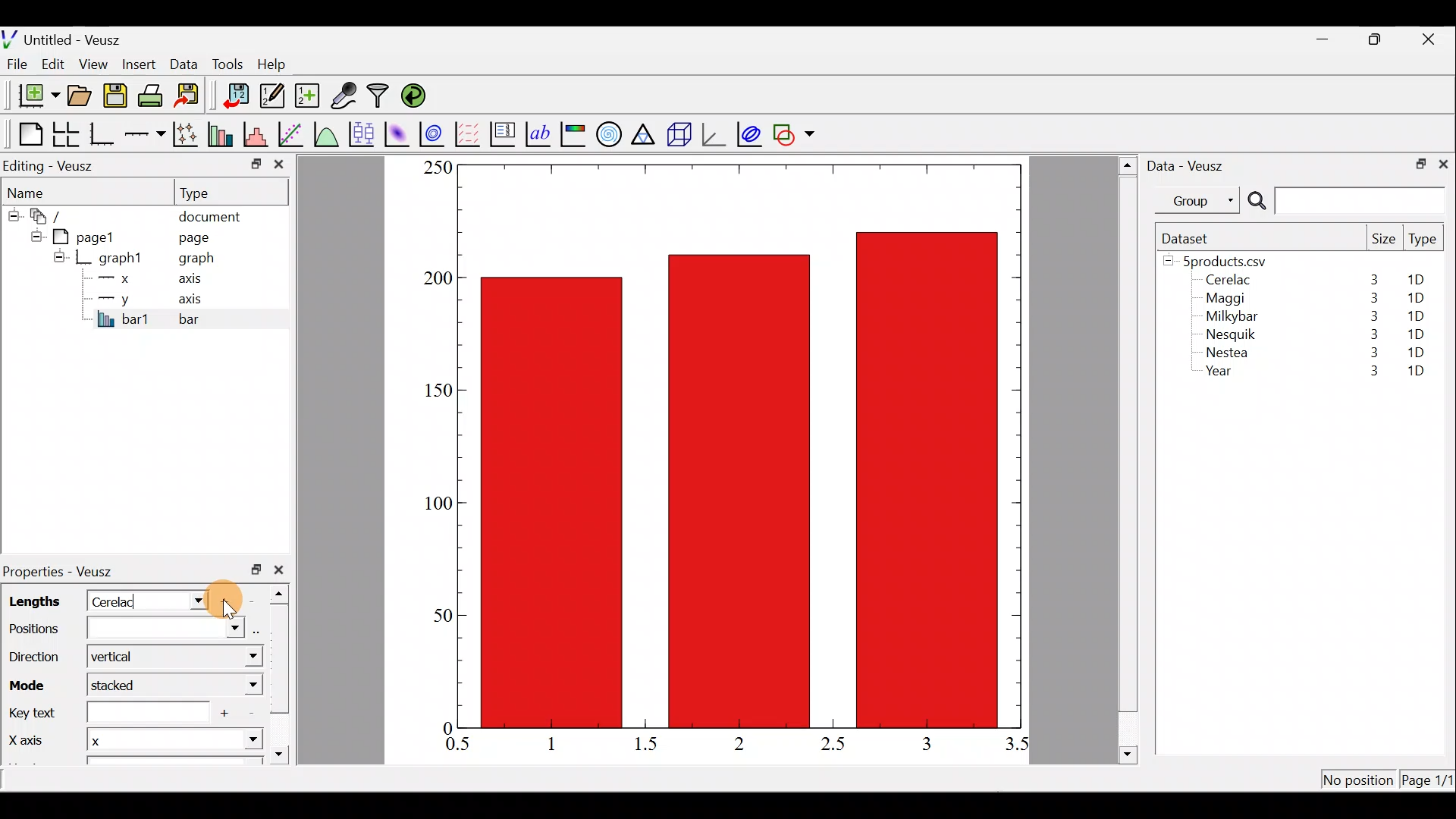  I want to click on Milkybar, so click(1228, 318).